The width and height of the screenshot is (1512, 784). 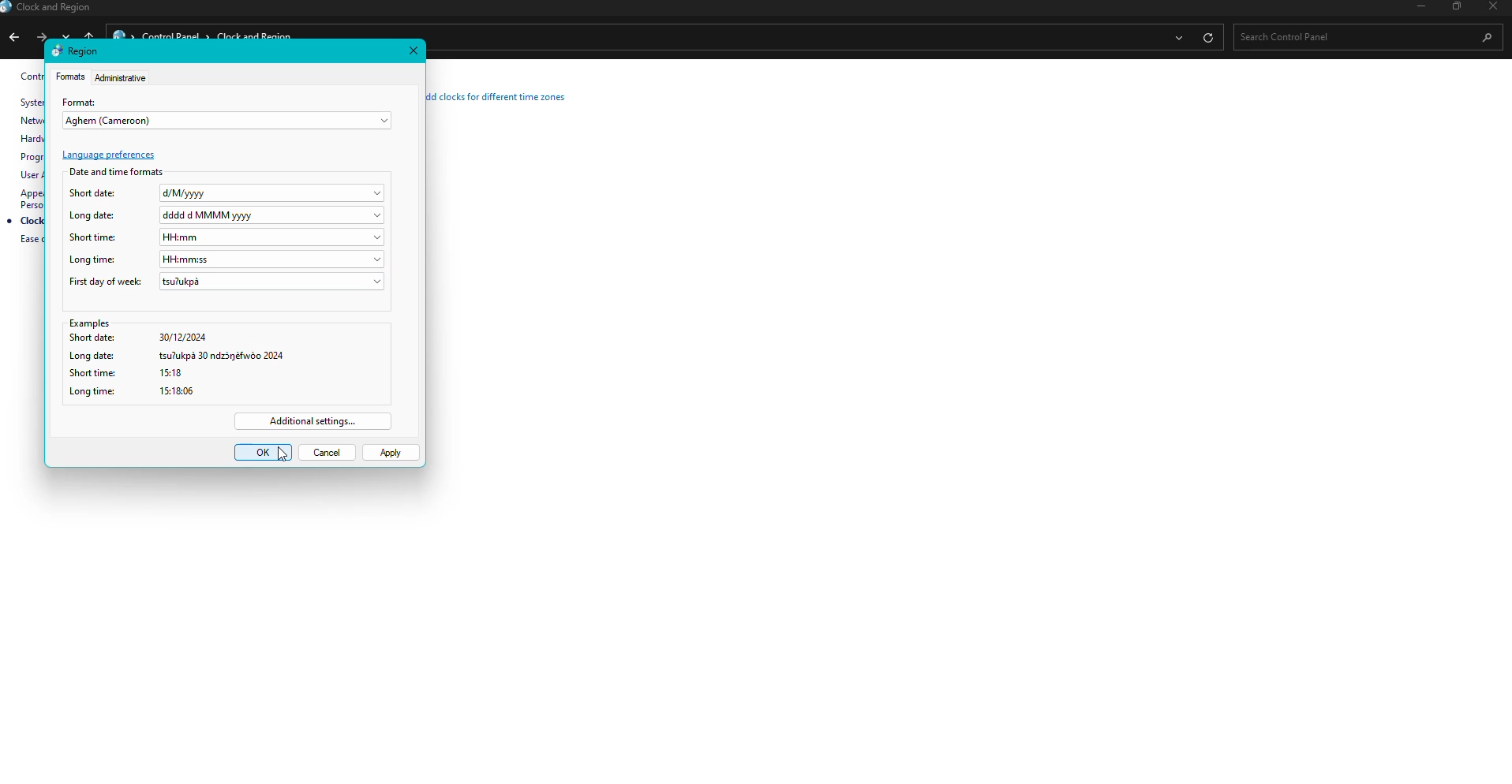 I want to click on long date, so click(x=226, y=356).